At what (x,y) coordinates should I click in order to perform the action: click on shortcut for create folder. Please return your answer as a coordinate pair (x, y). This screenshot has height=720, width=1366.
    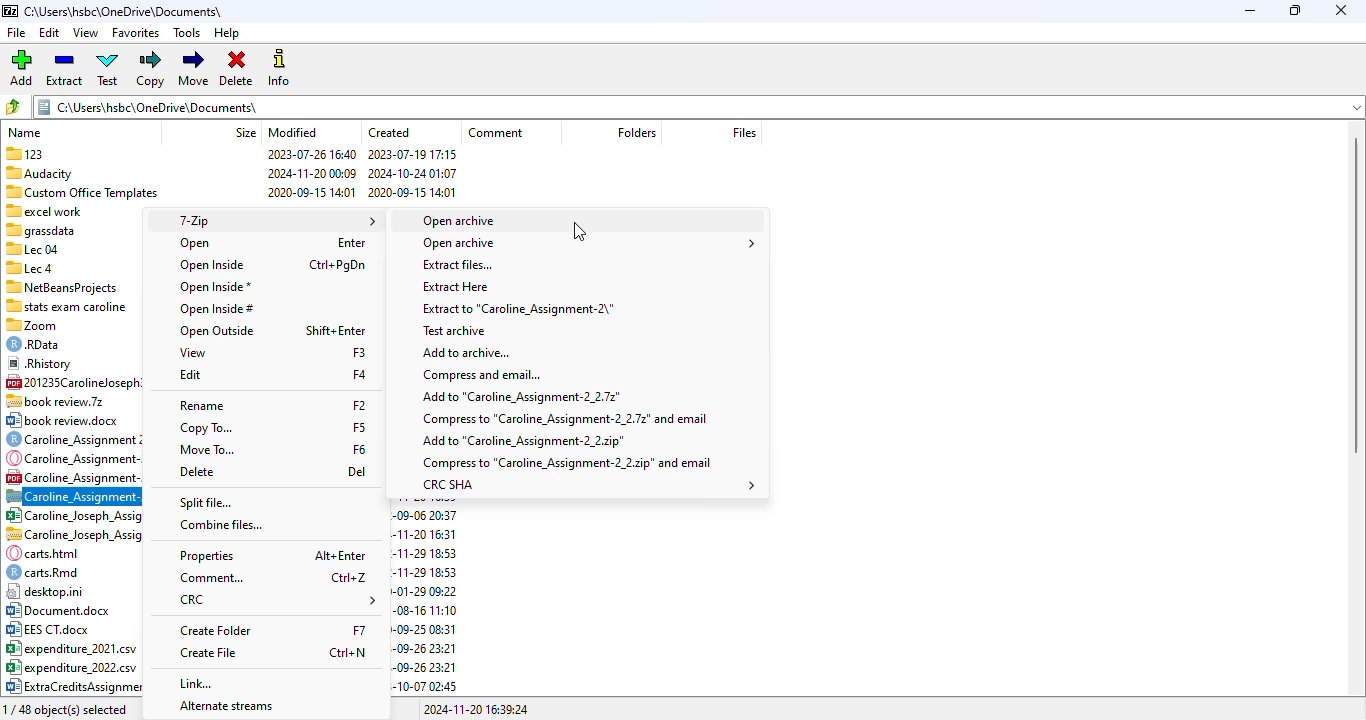
    Looking at the image, I should click on (358, 629).